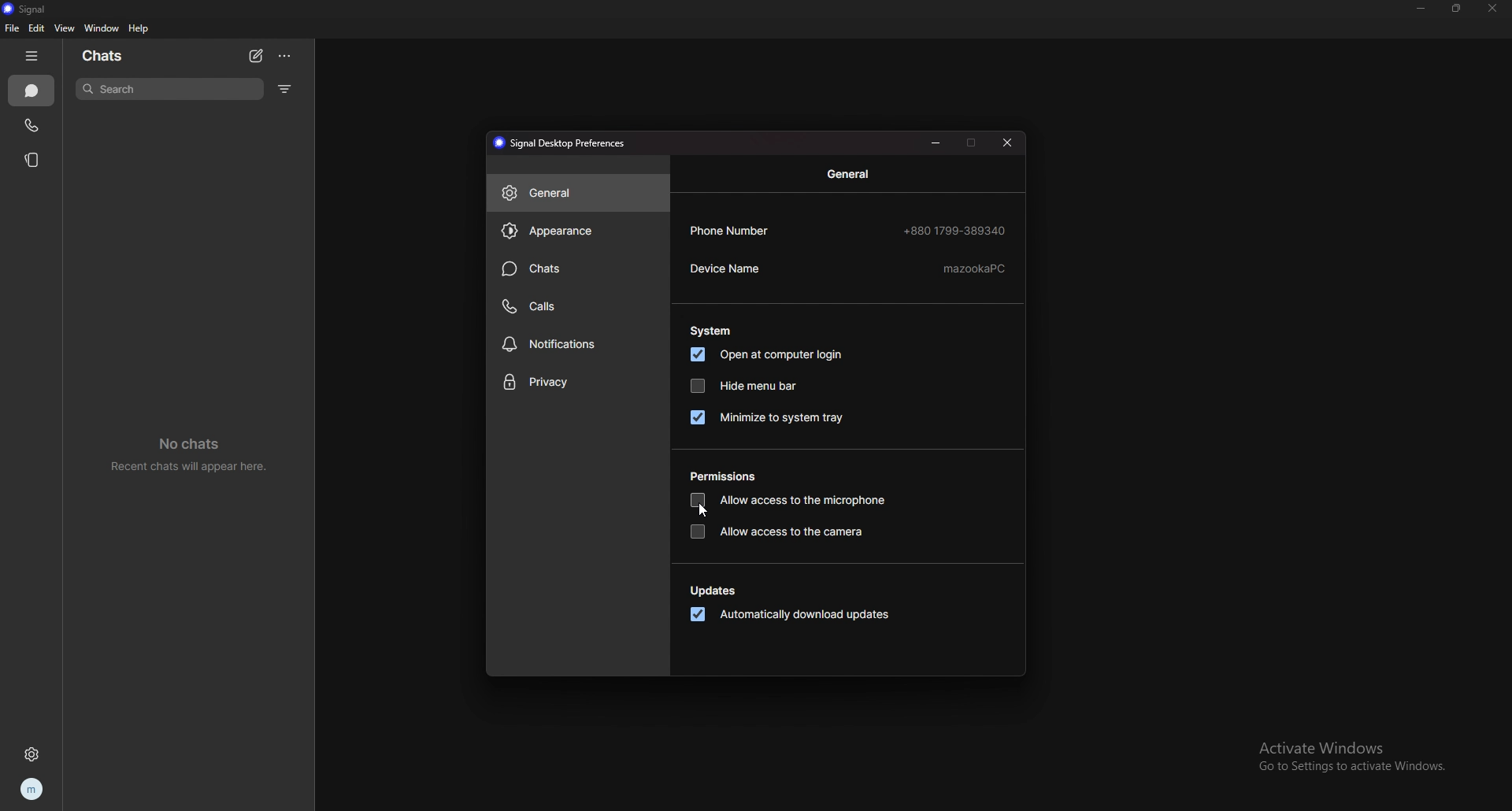 The width and height of the screenshot is (1512, 811). I want to click on window, so click(102, 28).